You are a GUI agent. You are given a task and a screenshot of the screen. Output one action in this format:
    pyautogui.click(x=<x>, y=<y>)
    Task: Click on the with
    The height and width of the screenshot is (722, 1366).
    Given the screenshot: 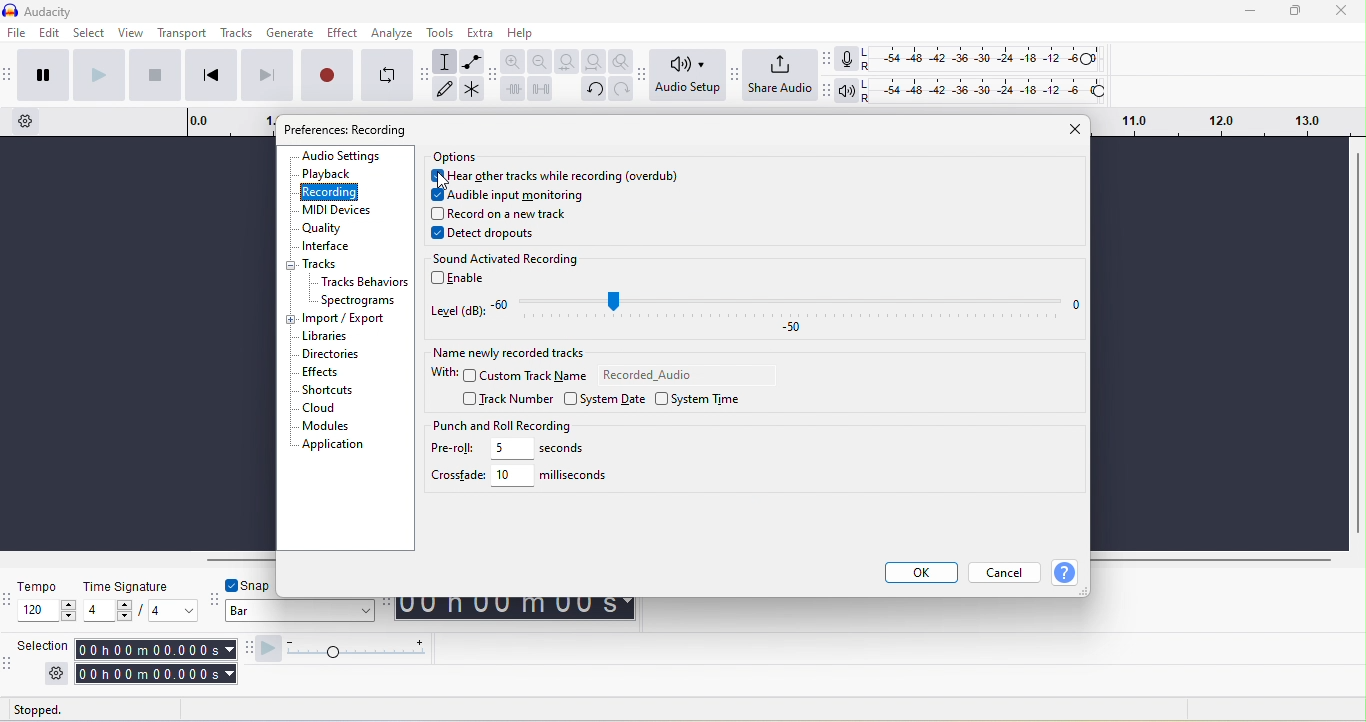 What is the action you would take?
    pyautogui.click(x=441, y=372)
    